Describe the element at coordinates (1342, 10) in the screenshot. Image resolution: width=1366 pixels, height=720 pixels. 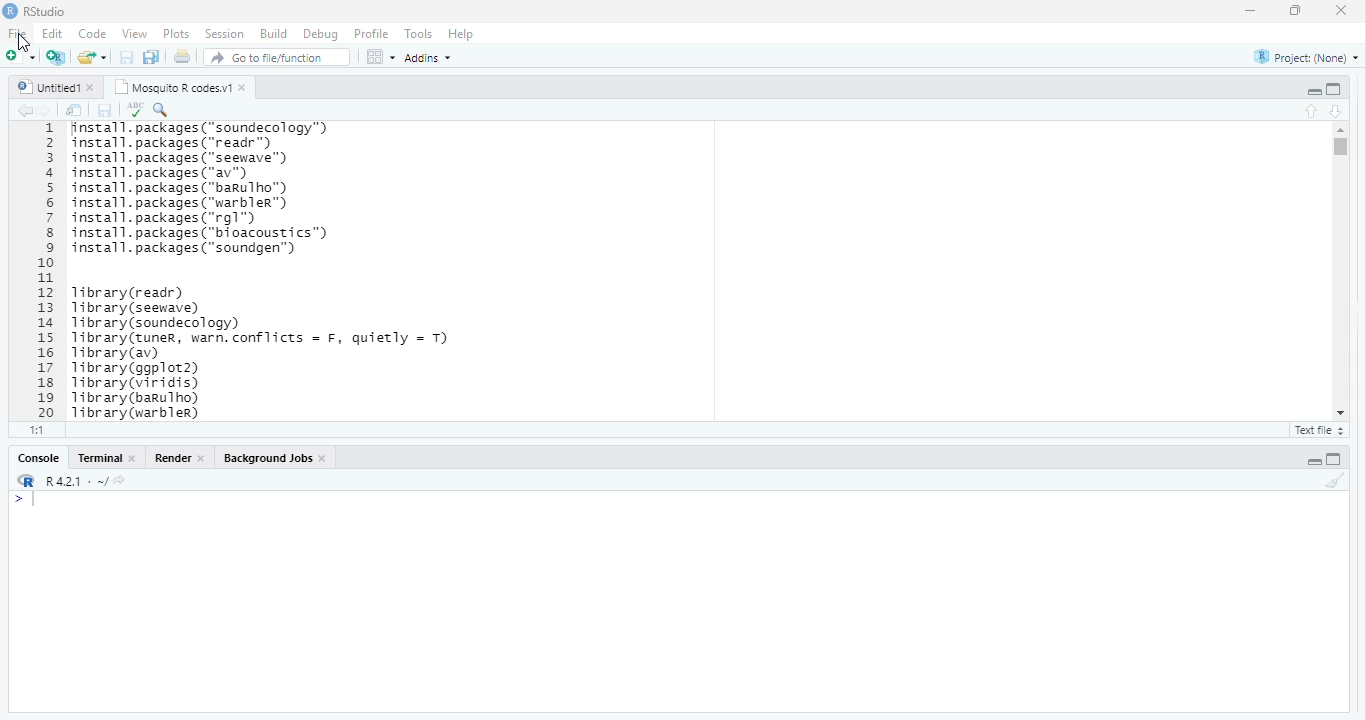
I see `close` at that location.